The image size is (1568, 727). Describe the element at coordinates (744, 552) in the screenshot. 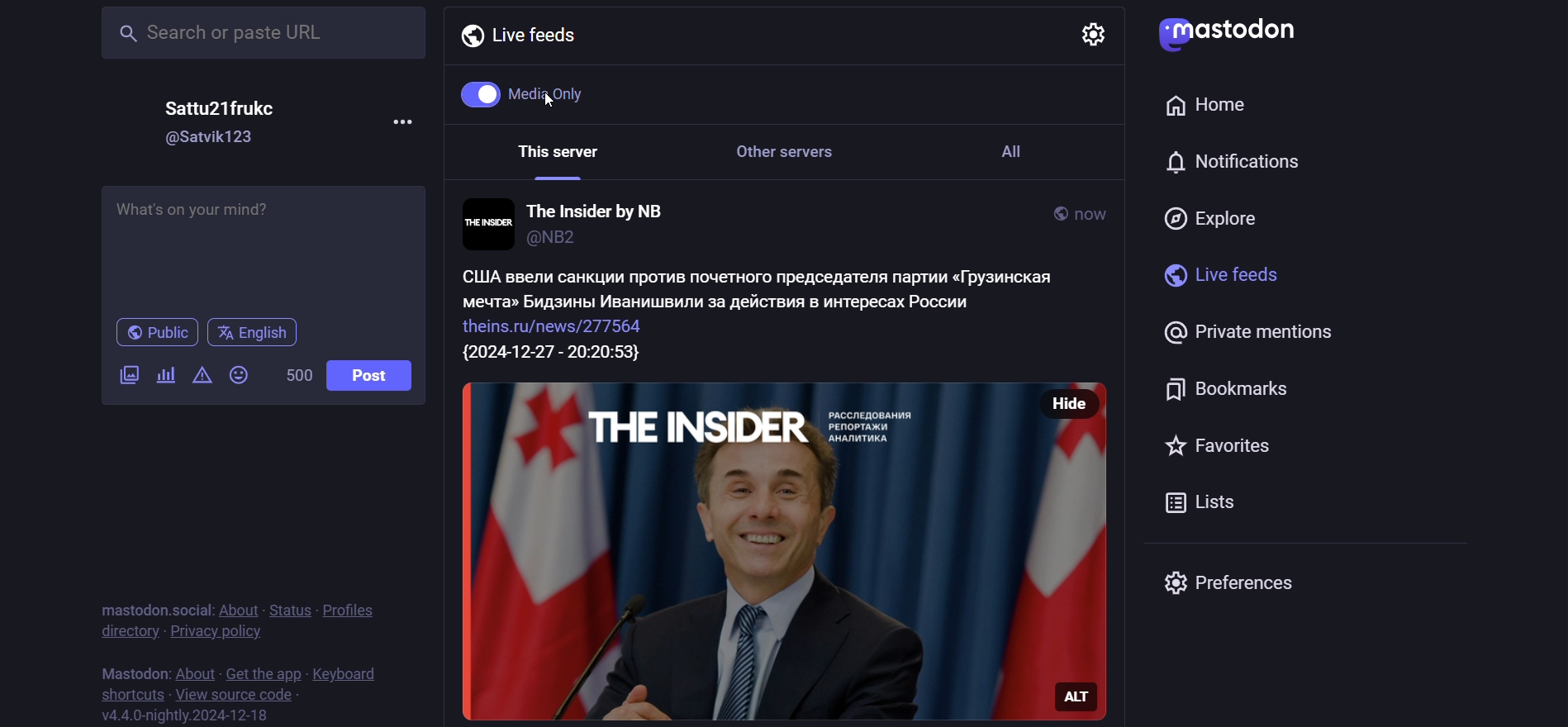

I see `image` at that location.